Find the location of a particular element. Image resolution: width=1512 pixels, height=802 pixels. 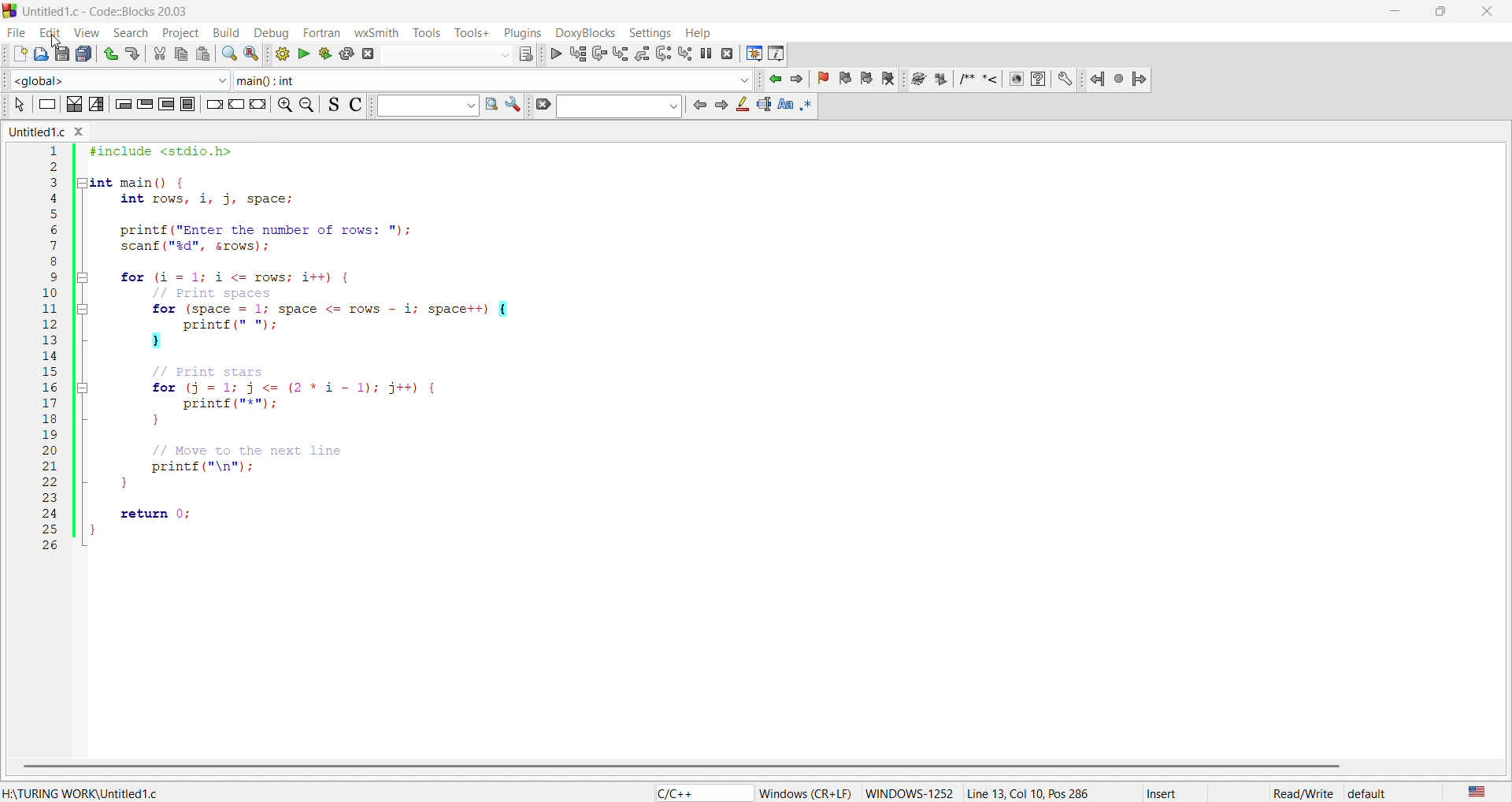

save all is located at coordinates (88, 54).